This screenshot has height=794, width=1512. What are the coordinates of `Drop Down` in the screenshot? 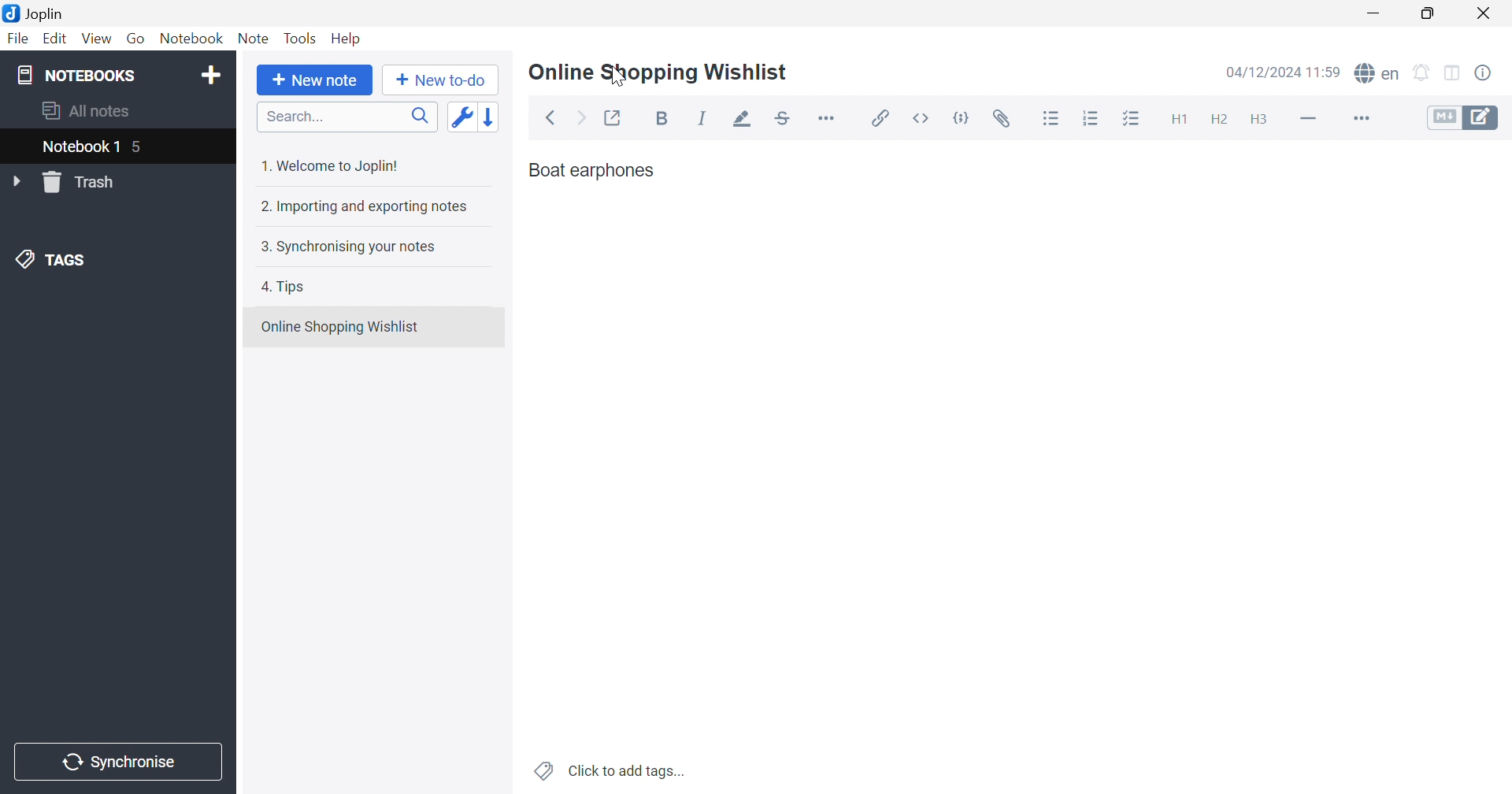 It's located at (16, 180).